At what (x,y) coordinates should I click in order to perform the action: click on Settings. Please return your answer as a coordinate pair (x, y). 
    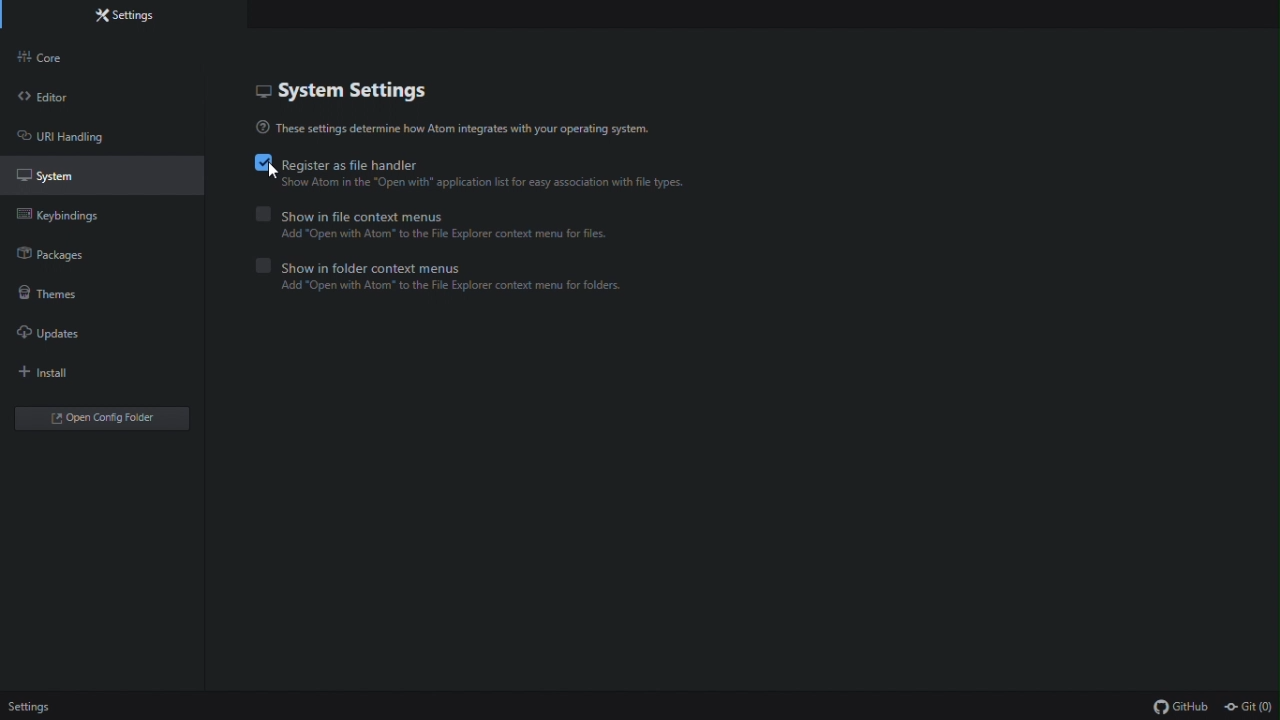
    Looking at the image, I should click on (128, 18).